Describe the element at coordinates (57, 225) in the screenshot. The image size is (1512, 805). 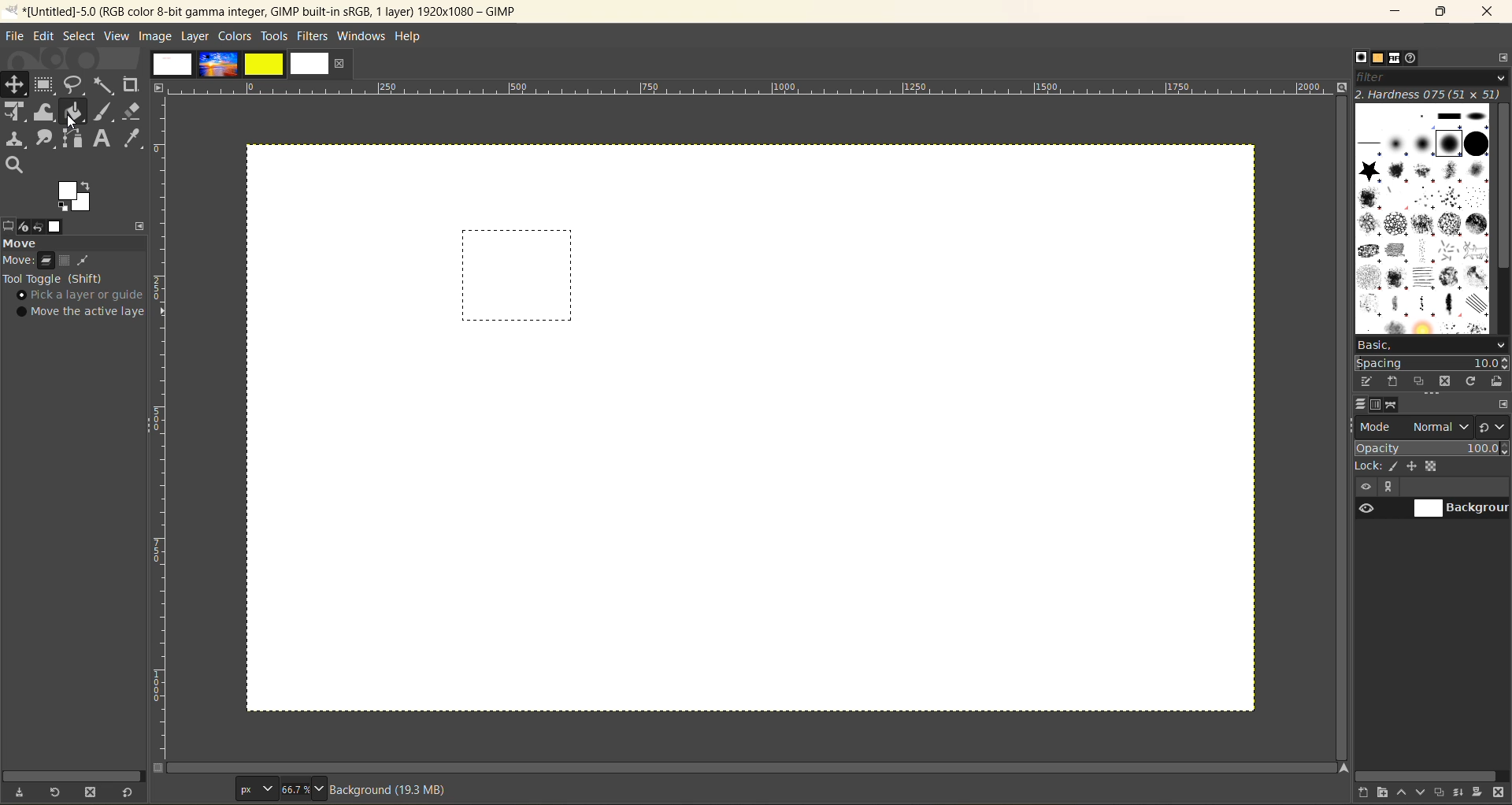
I see `images` at that location.